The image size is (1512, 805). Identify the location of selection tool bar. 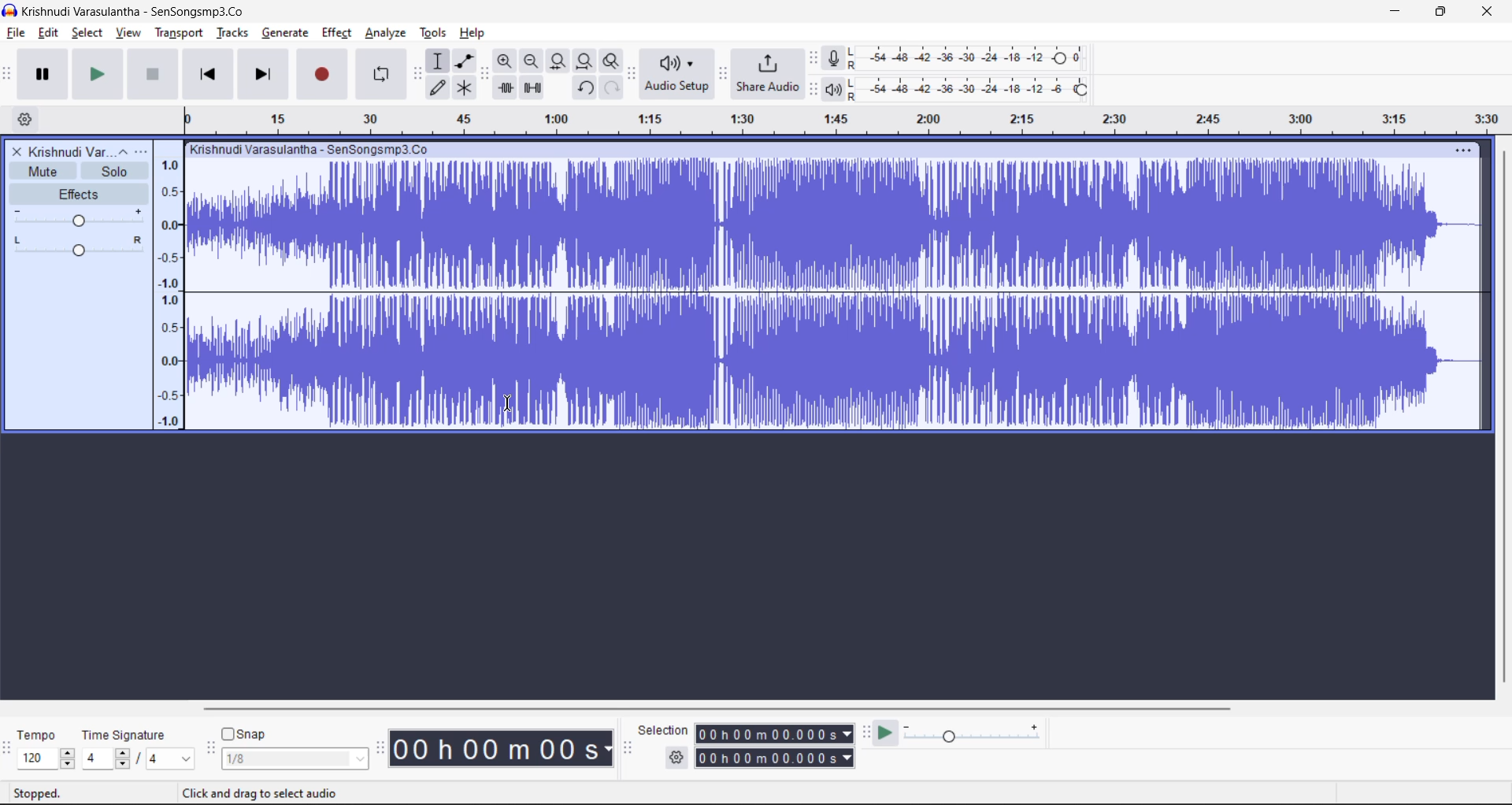
(625, 748).